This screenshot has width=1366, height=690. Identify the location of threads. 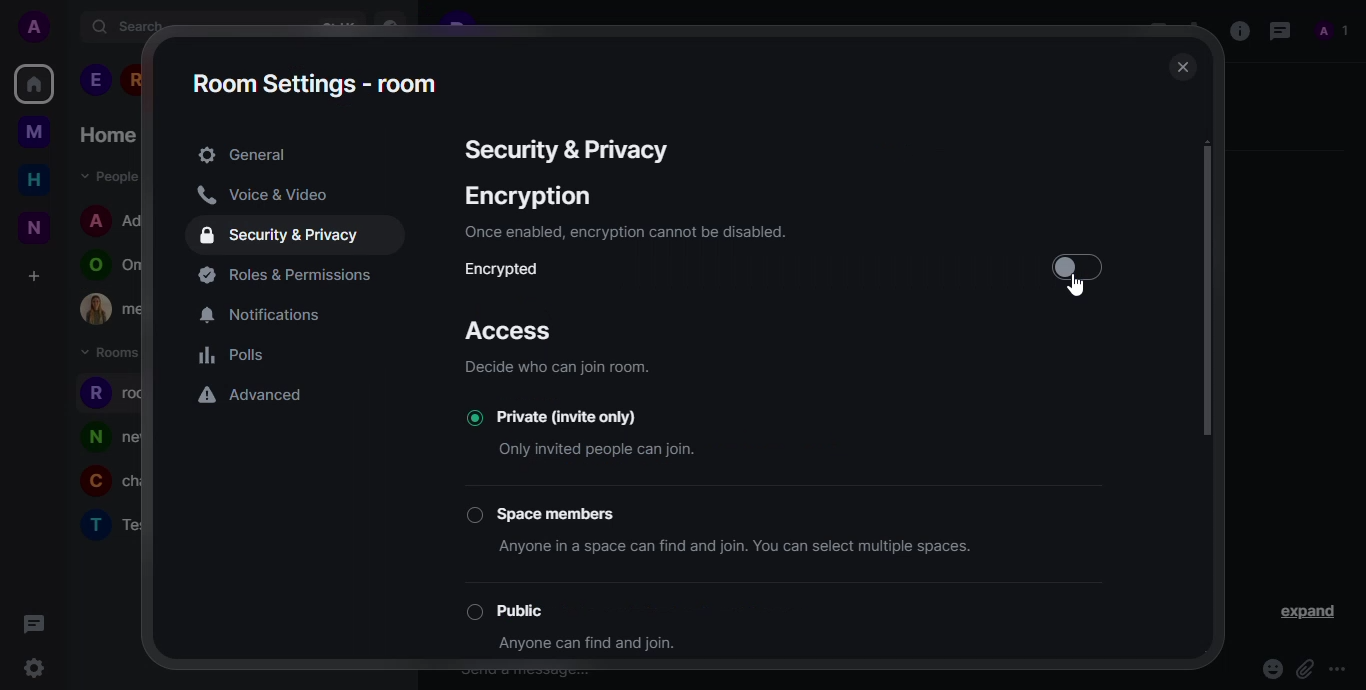
(1277, 30).